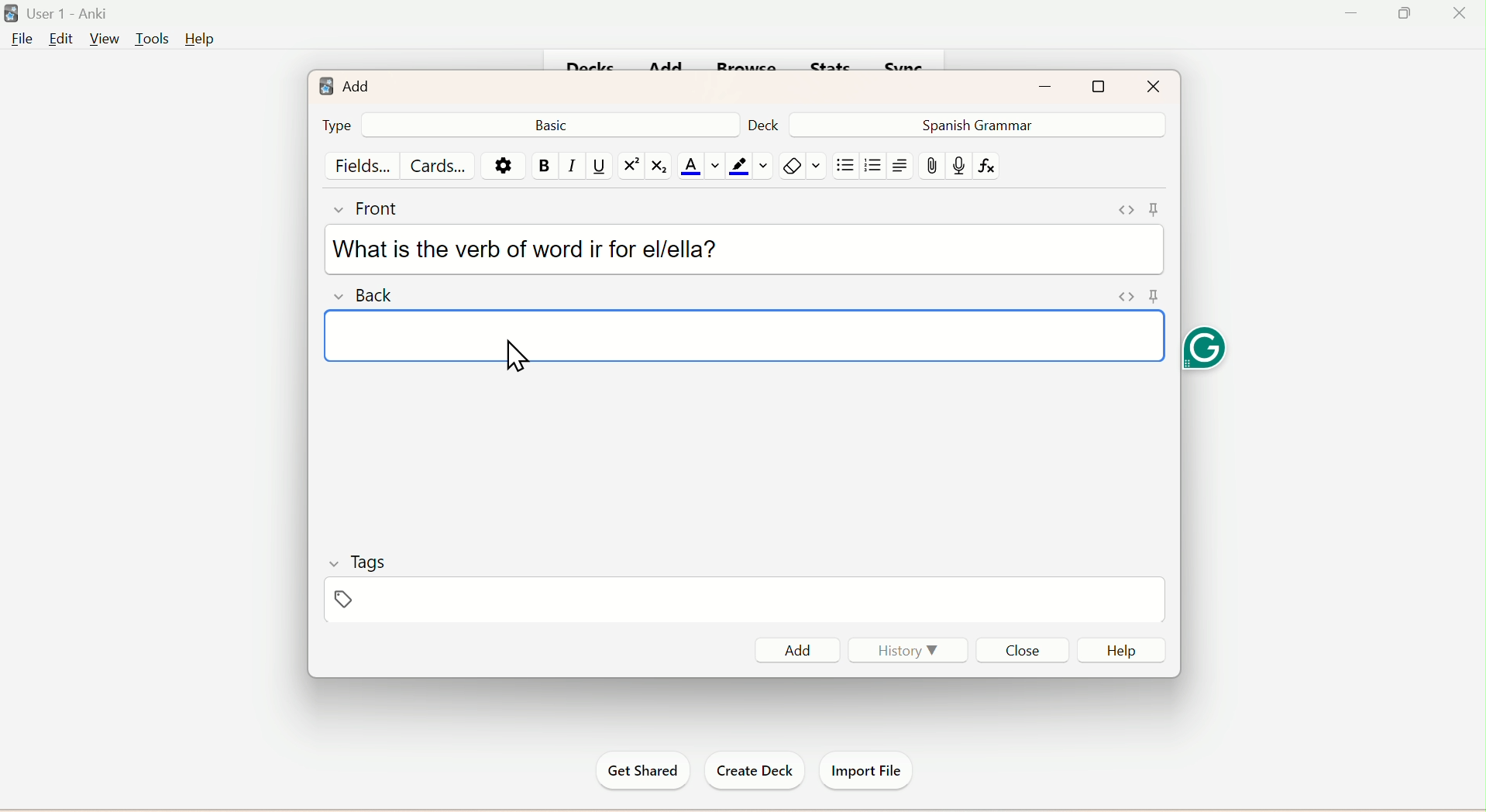  What do you see at coordinates (1120, 650) in the screenshot?
I see `Help` at bounding box center [1120, 650].